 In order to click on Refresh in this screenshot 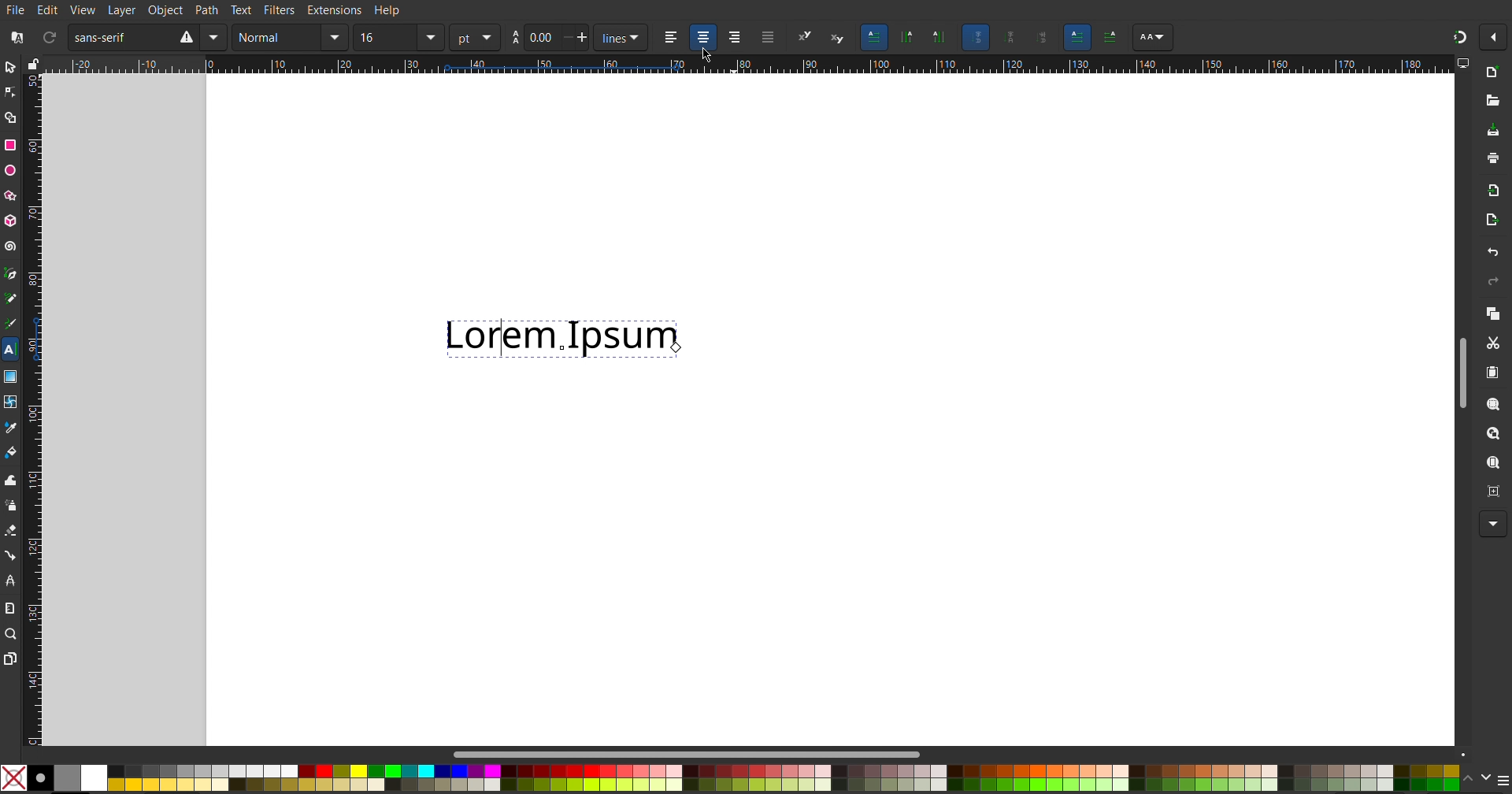, I will do `click(46, 36)`.